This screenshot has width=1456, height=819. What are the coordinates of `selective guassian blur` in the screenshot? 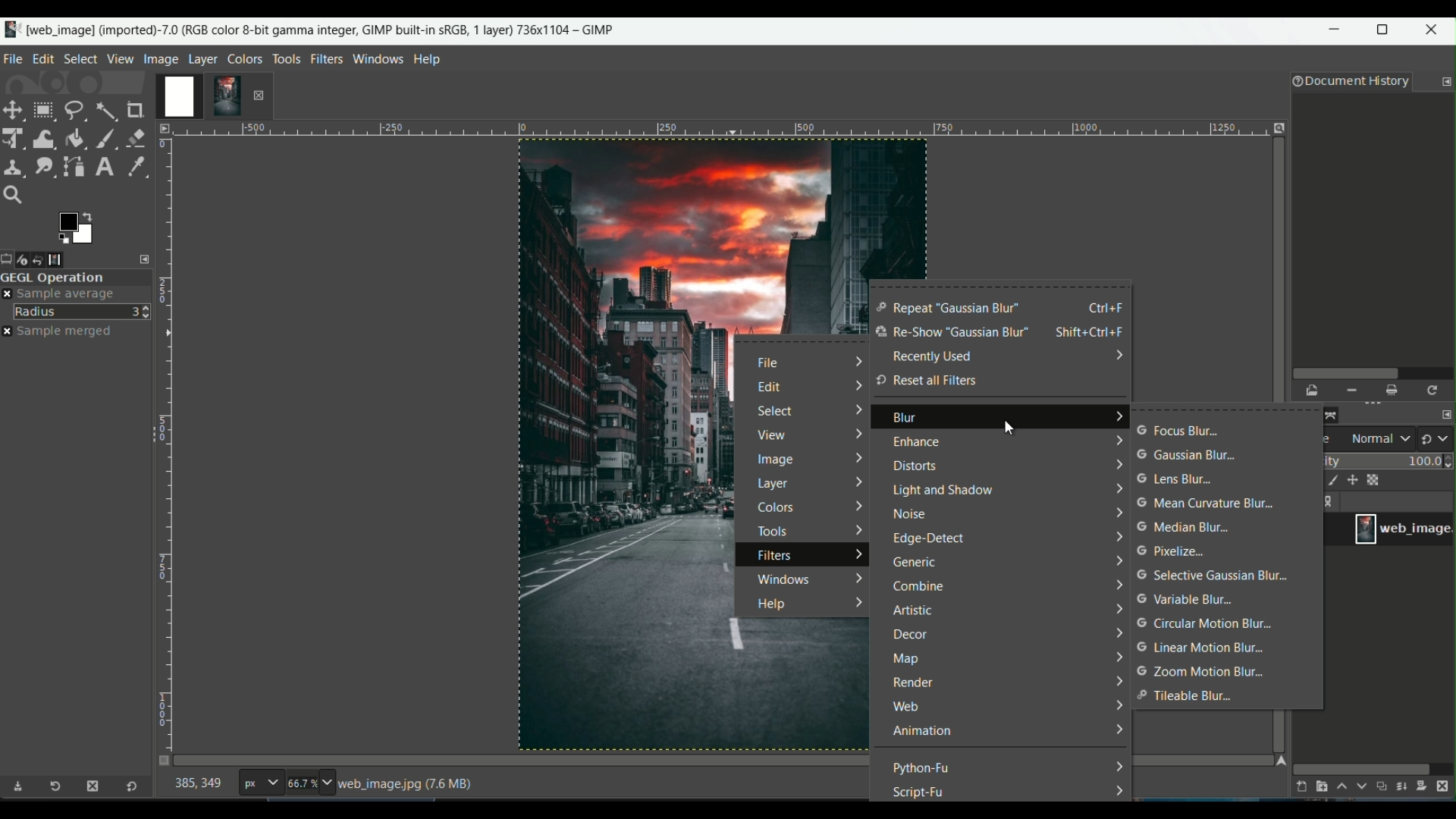 It's located at (1215, 576).